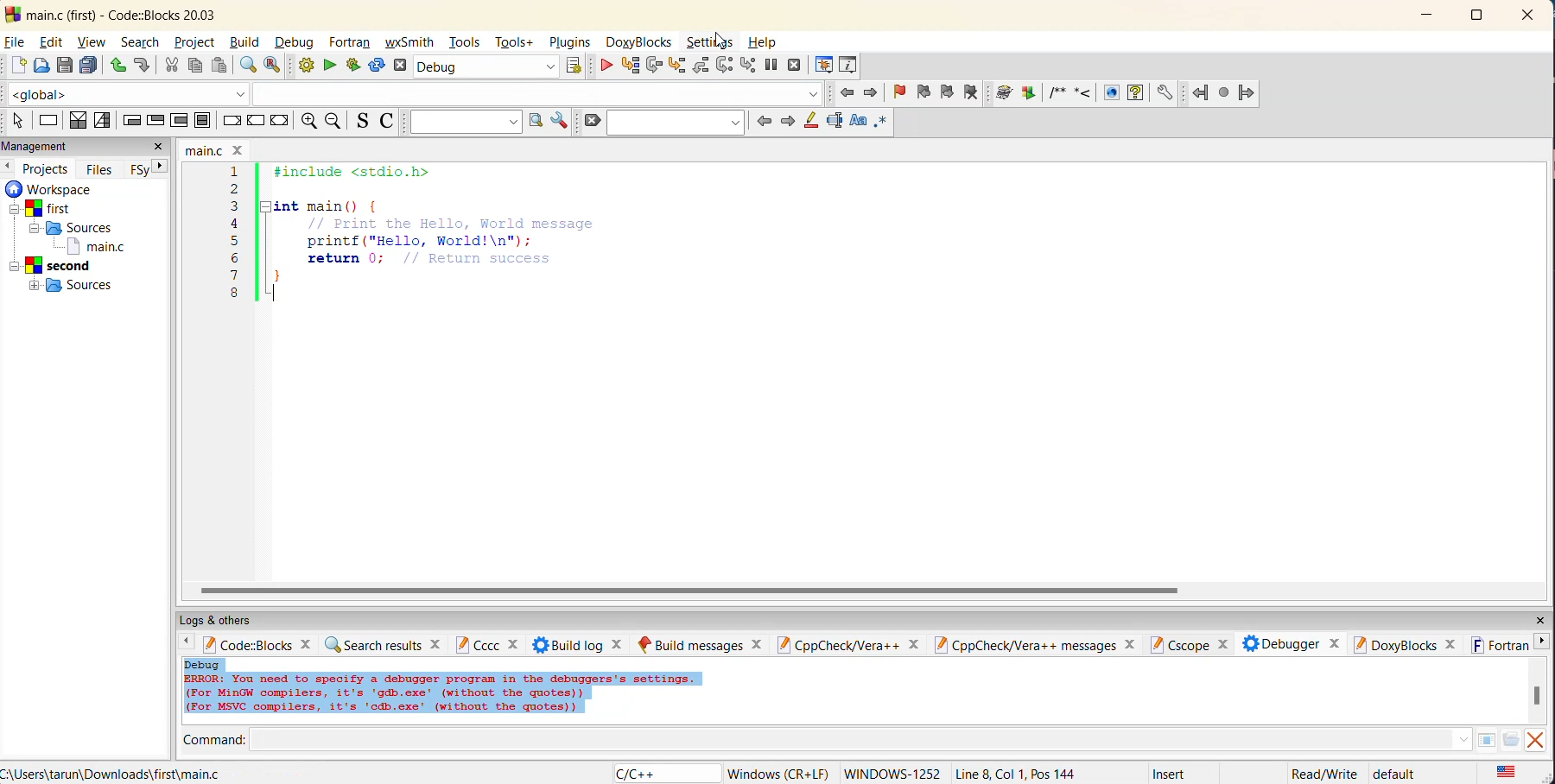 The width and height of the screenshot is (1555, 784). What do you see at coordinates (155, 168) in the screenshot?
I see `next` at bounding box center [155, 168].